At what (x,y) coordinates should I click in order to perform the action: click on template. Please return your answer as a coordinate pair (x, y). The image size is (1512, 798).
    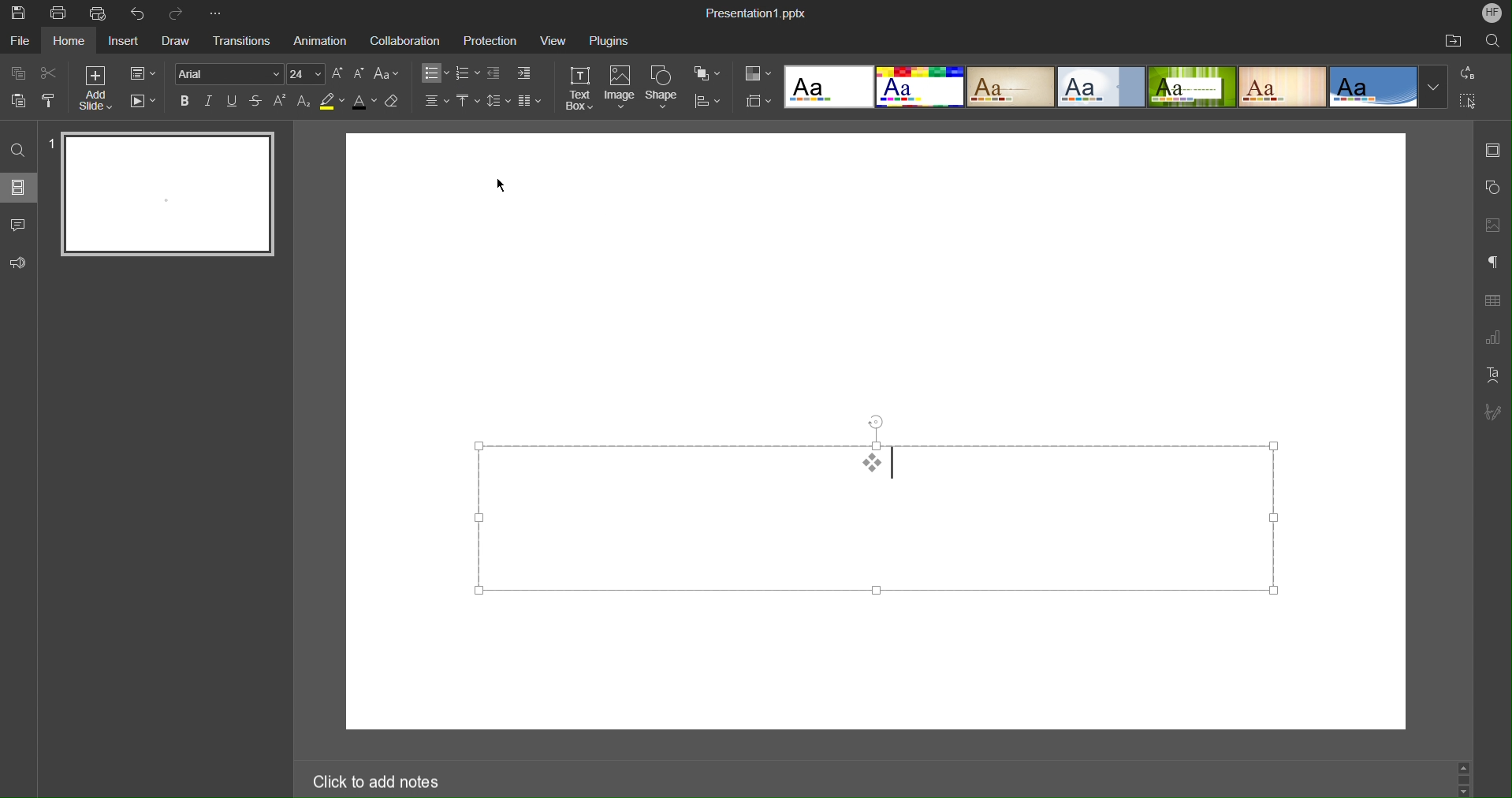
    Looking at the image, I should click on (1010, 88).